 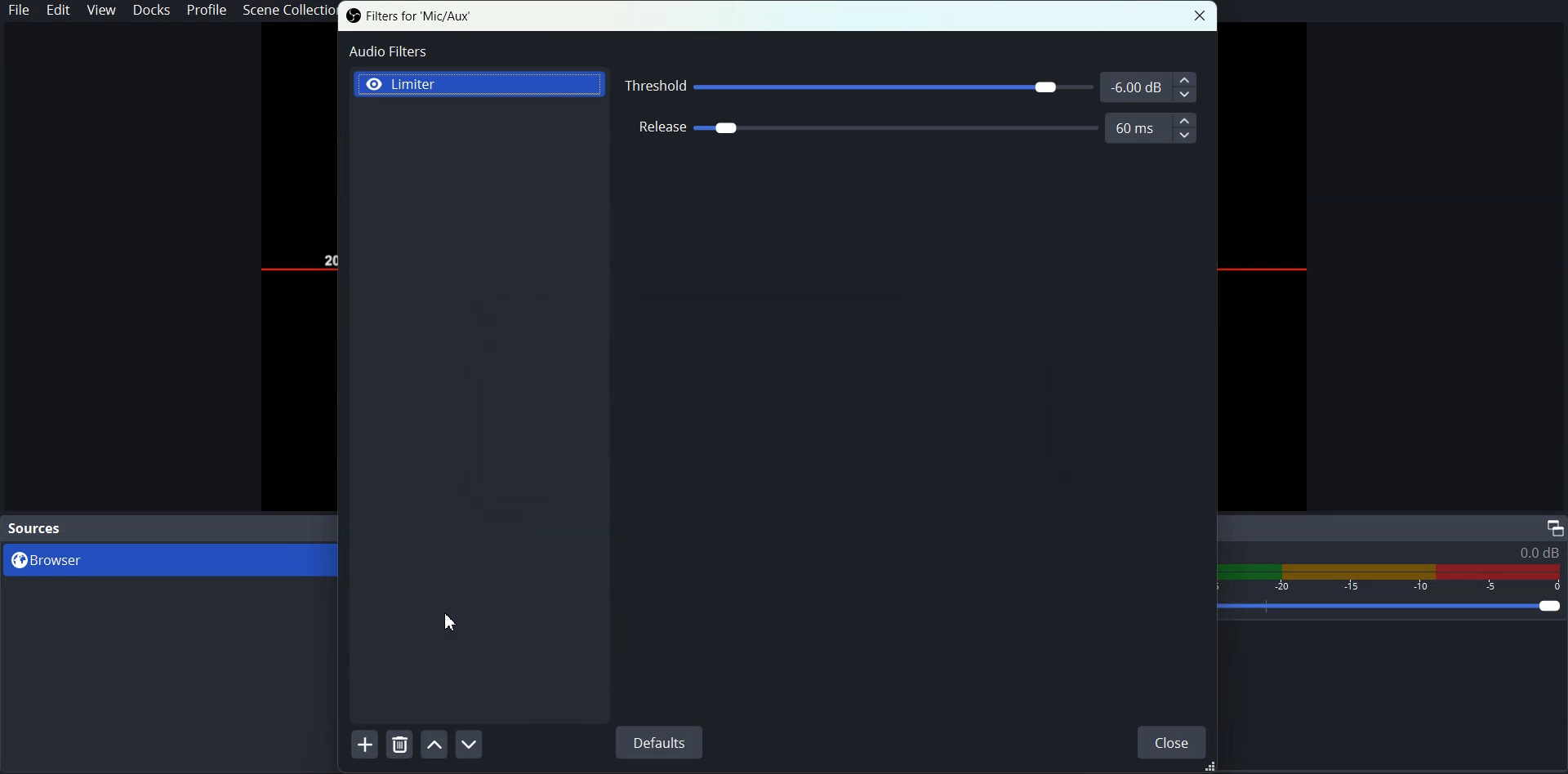 I want to click on Maximize, so click(x=1554, y=527).